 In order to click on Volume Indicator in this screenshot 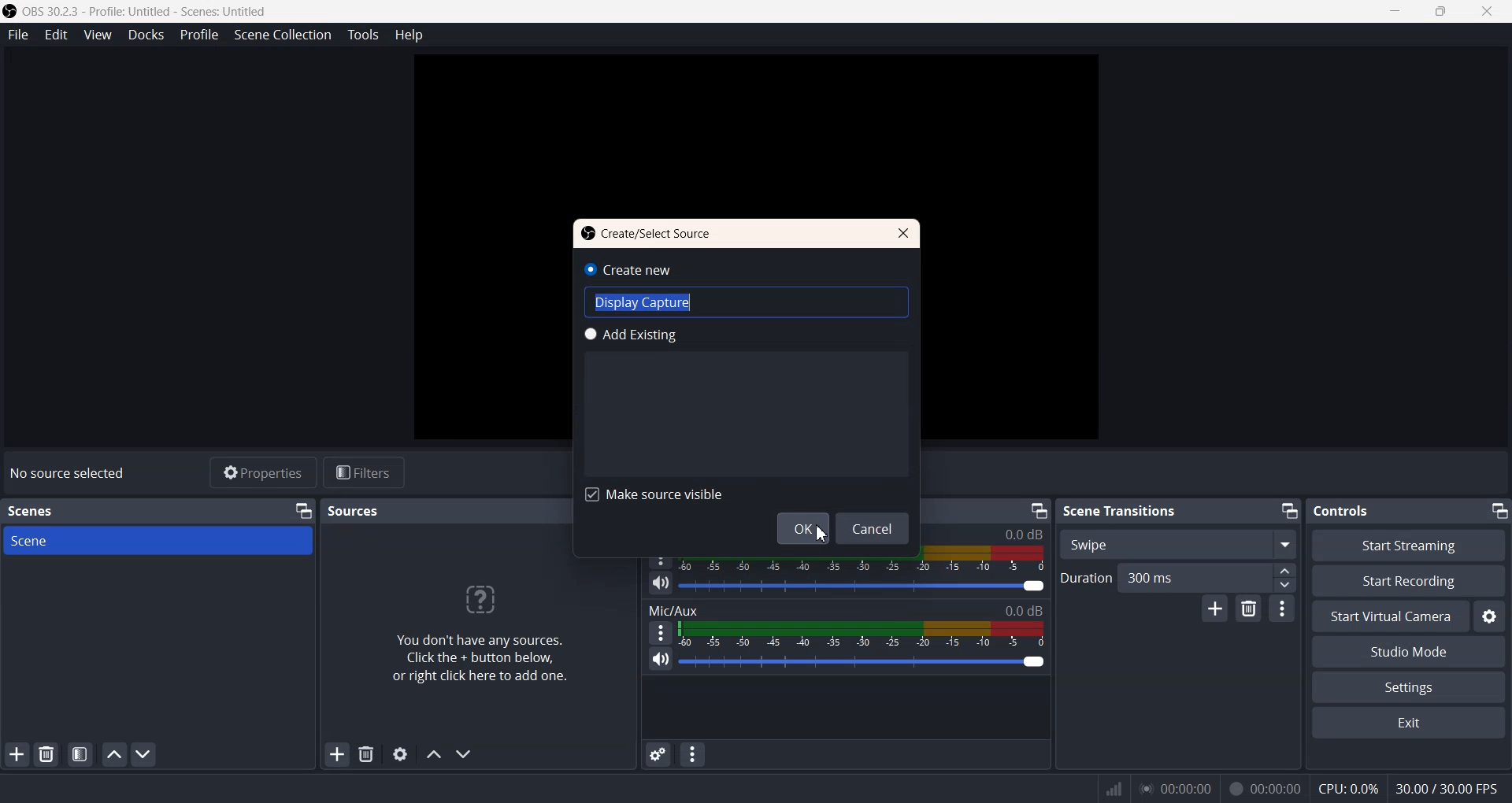, I will do `click(863, 558)`.